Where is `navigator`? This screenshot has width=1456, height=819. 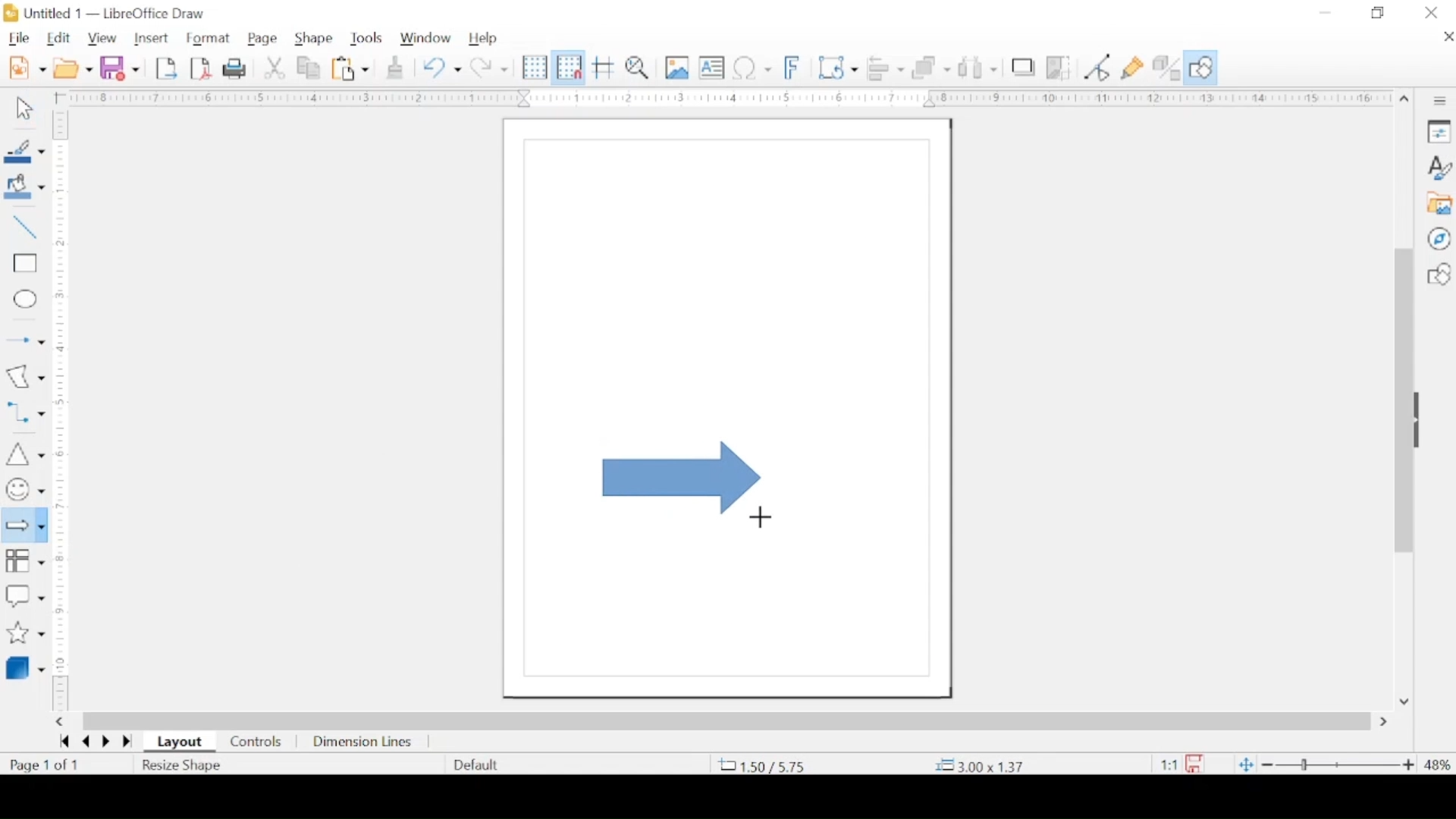
navigator is located at coordinates (1439, 238).